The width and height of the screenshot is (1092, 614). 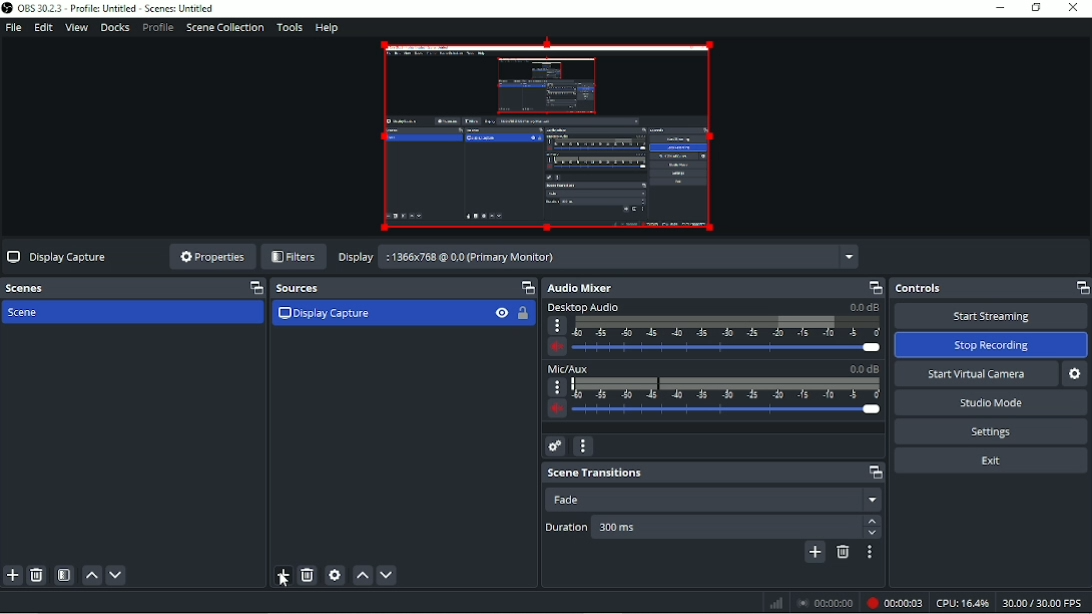 I want to click on Controls, so click(x=990, y=286).